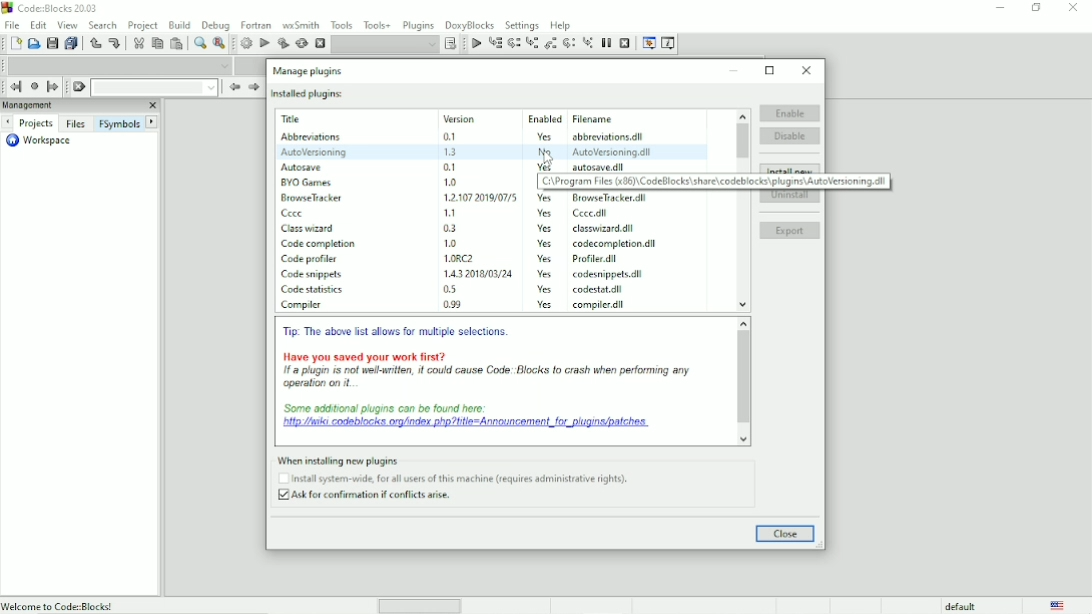 The width and height of the screenshot is (1092, 614). What do you see at coordinates (295, 212) in the screenshot?
I see `plugin` at bounding box center [295, 212].